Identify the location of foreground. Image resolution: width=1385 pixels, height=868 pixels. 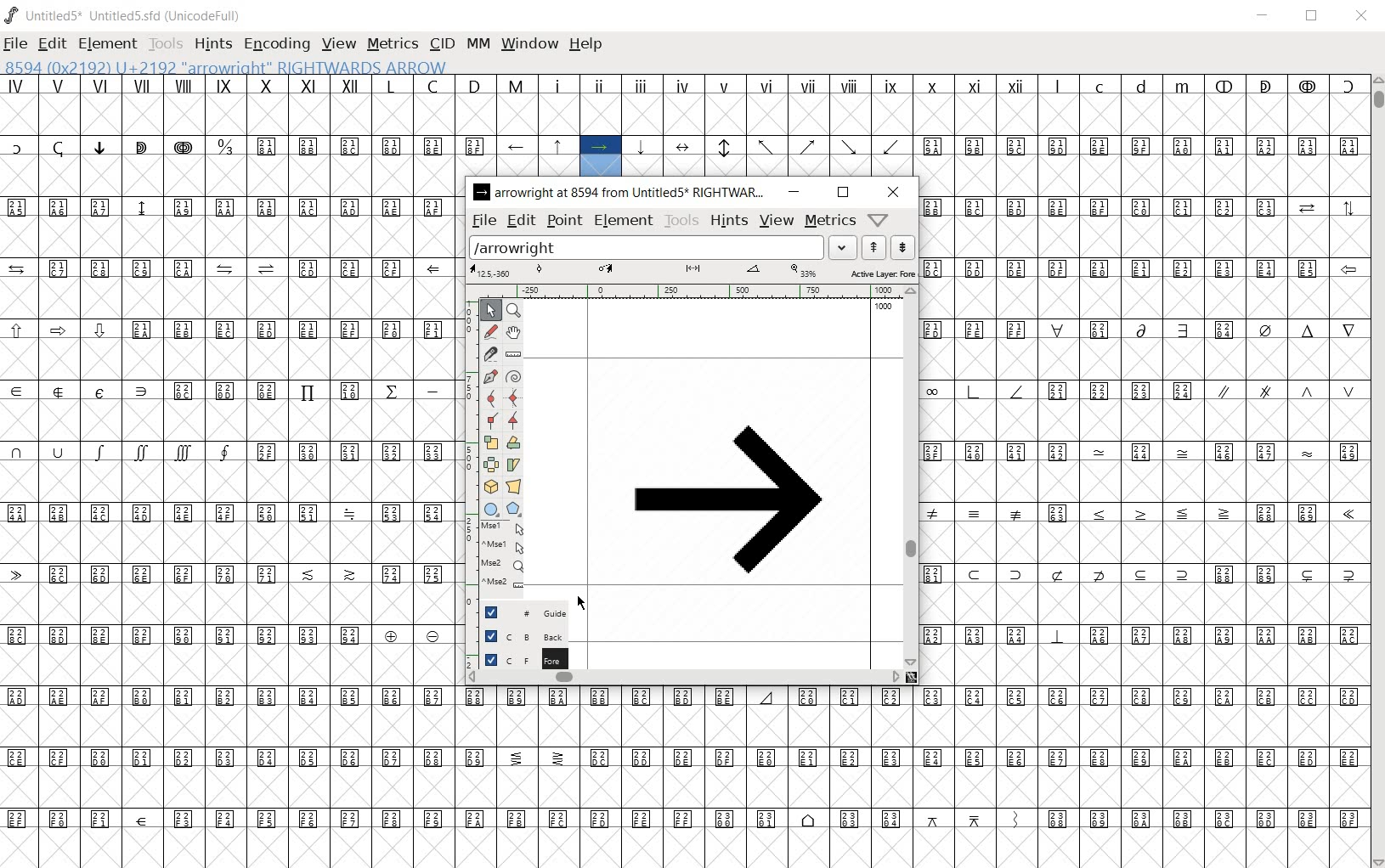
(518, 658).